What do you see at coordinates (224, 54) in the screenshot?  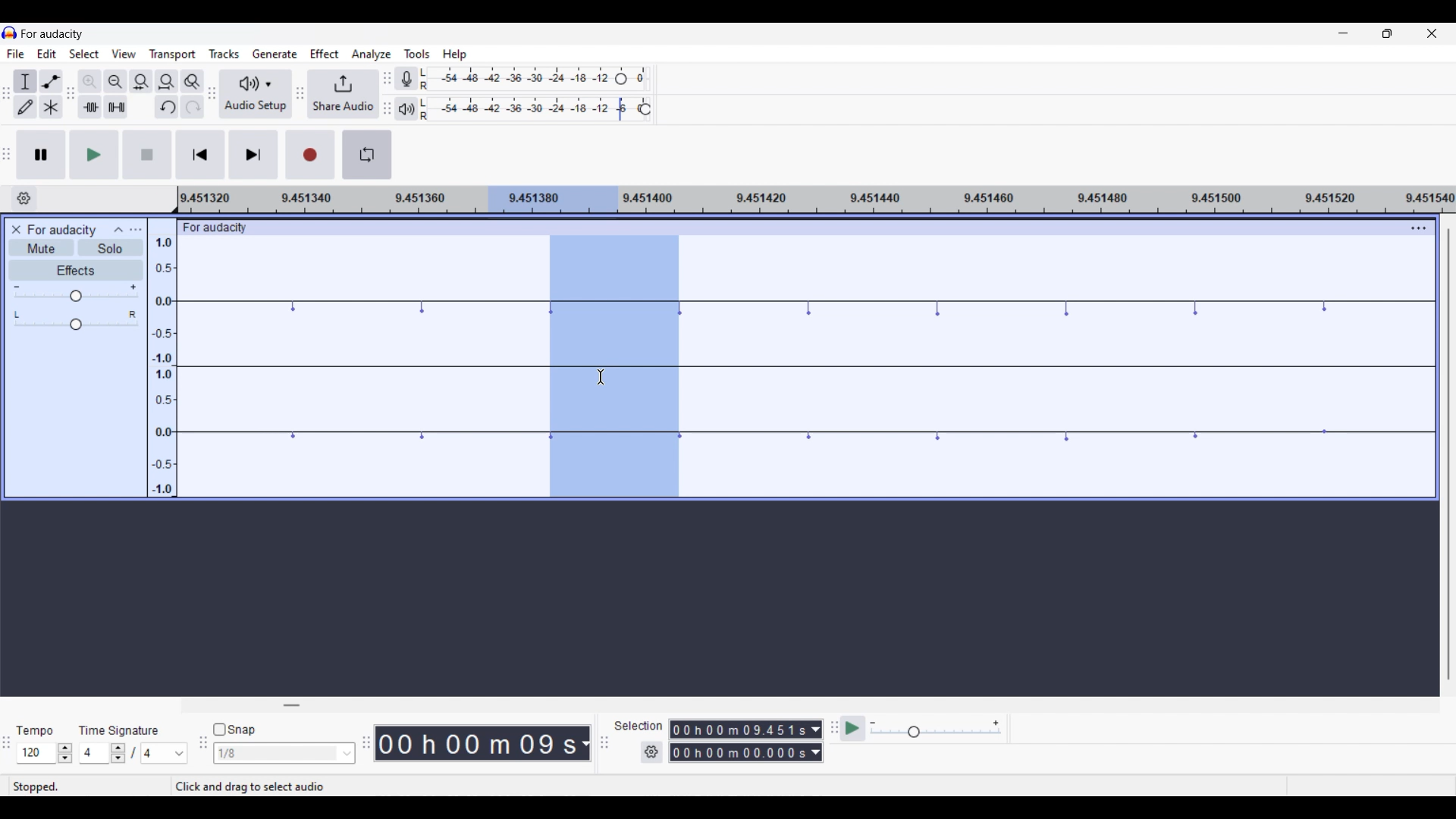 I see `Tracks menu` at bounding box center [224, 54].